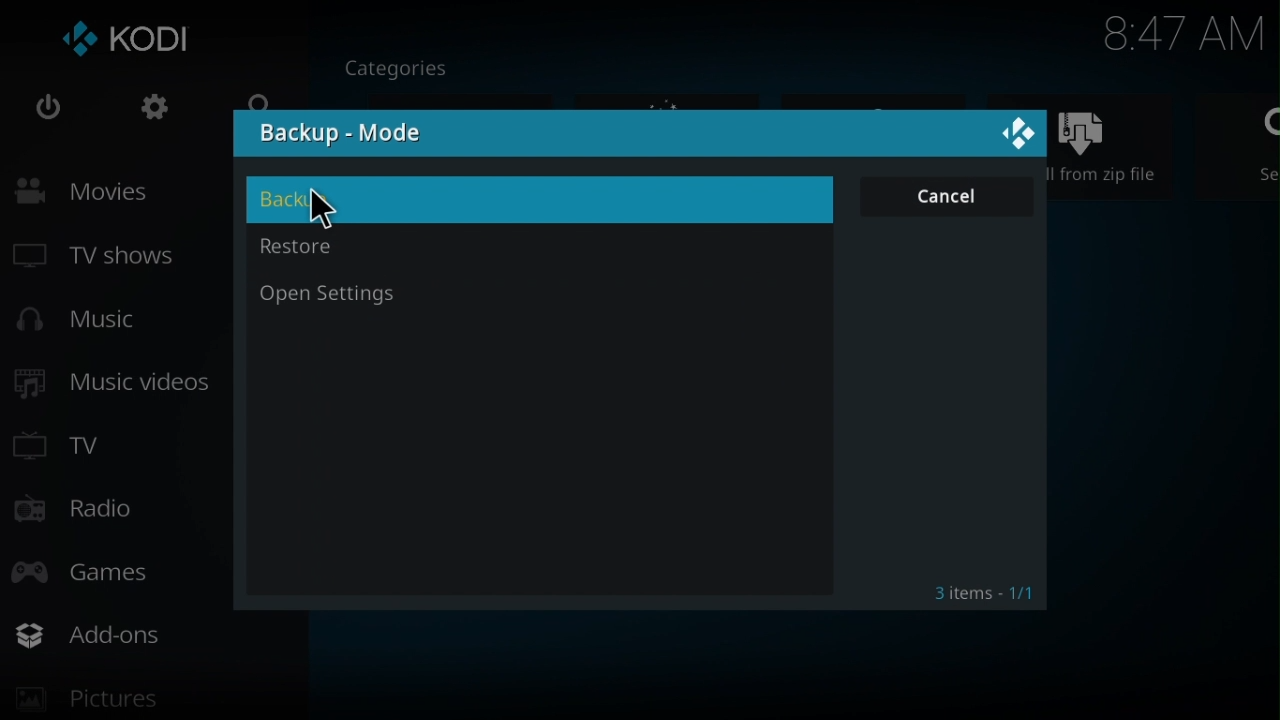 This screenshot has width=1280, height=720. I want to click on TV shows, so click(114, 259).